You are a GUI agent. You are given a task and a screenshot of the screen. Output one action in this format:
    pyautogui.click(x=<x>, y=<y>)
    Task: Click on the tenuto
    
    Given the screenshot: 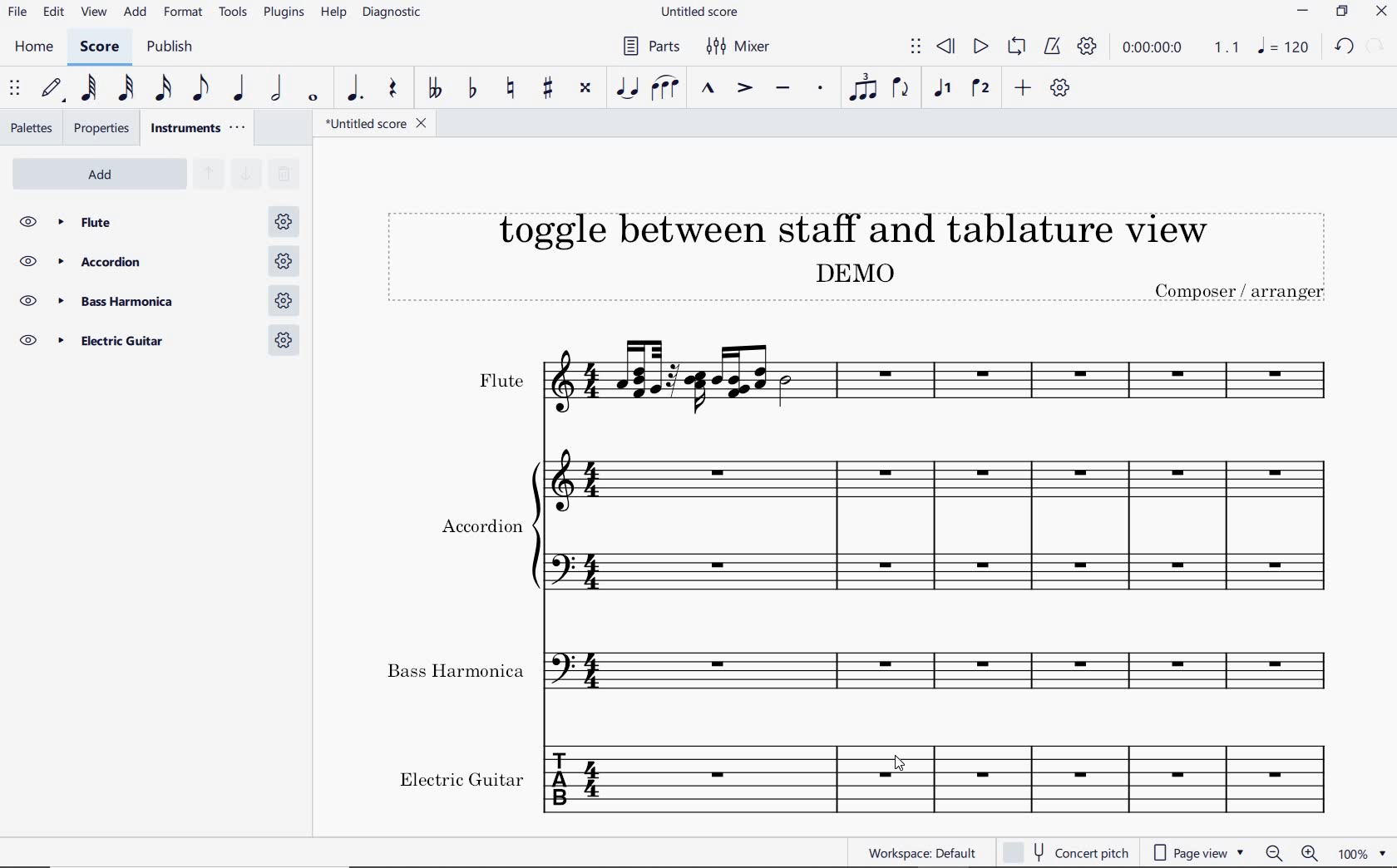 What is the action you would take?
    pyautogui.click(x=783, y=89)
    